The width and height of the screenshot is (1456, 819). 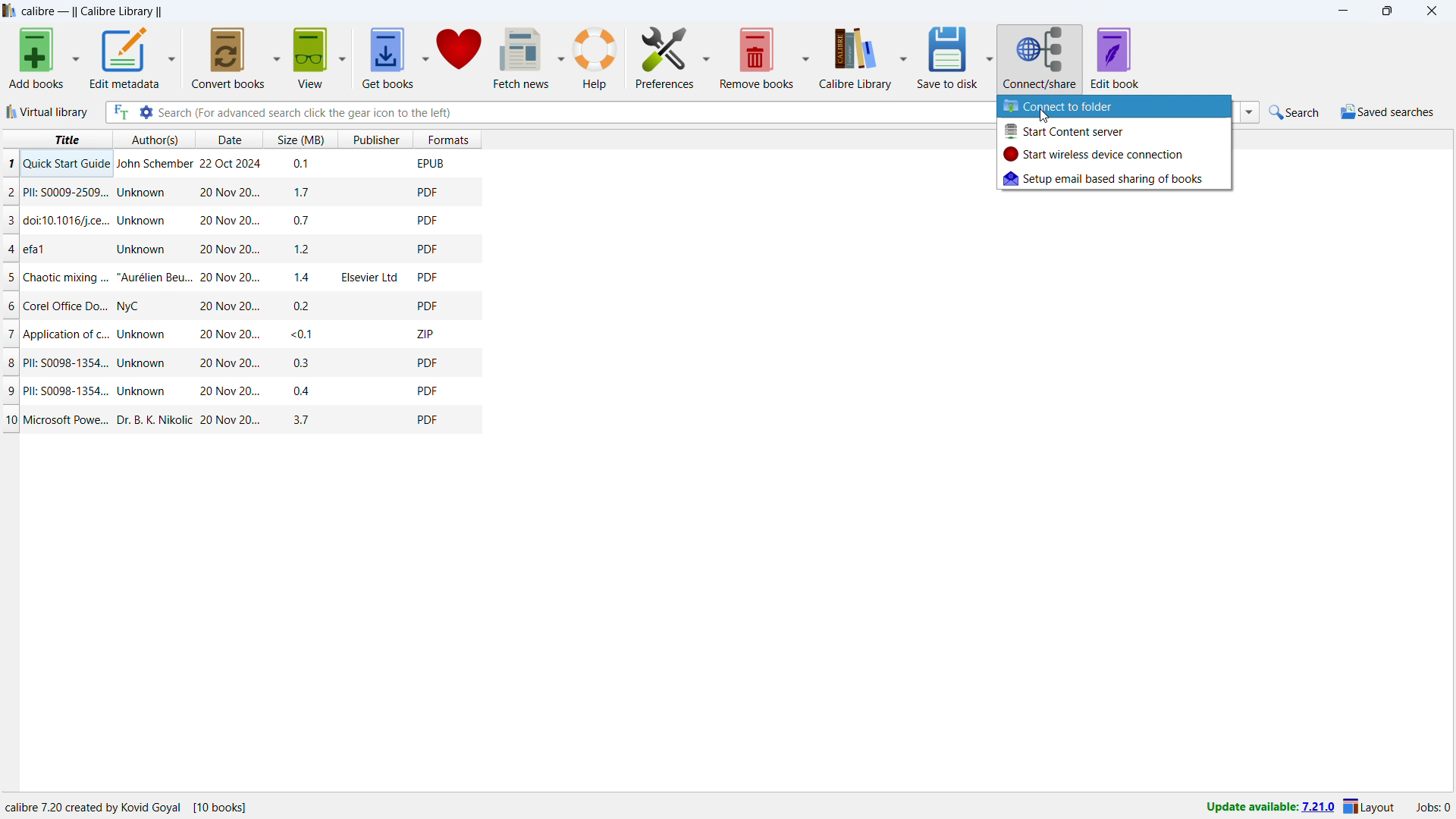 I want to click on sort by publisher, so click(x=374, y=139).